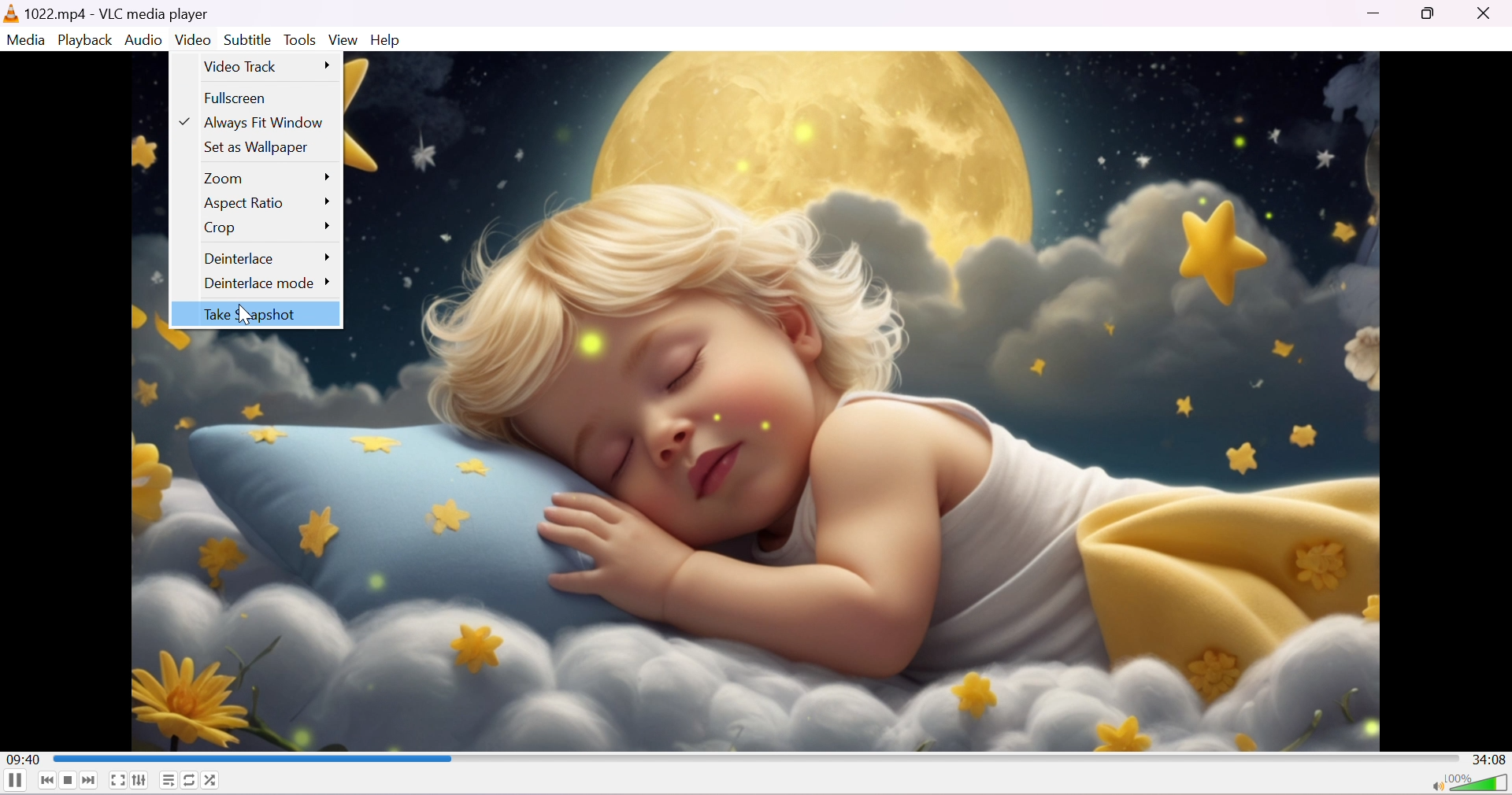 The width and height of the screenshot is (1512, 795). Describe the element at coordinates (1489, 758) in the screenshot. I see `34:08` at that location.